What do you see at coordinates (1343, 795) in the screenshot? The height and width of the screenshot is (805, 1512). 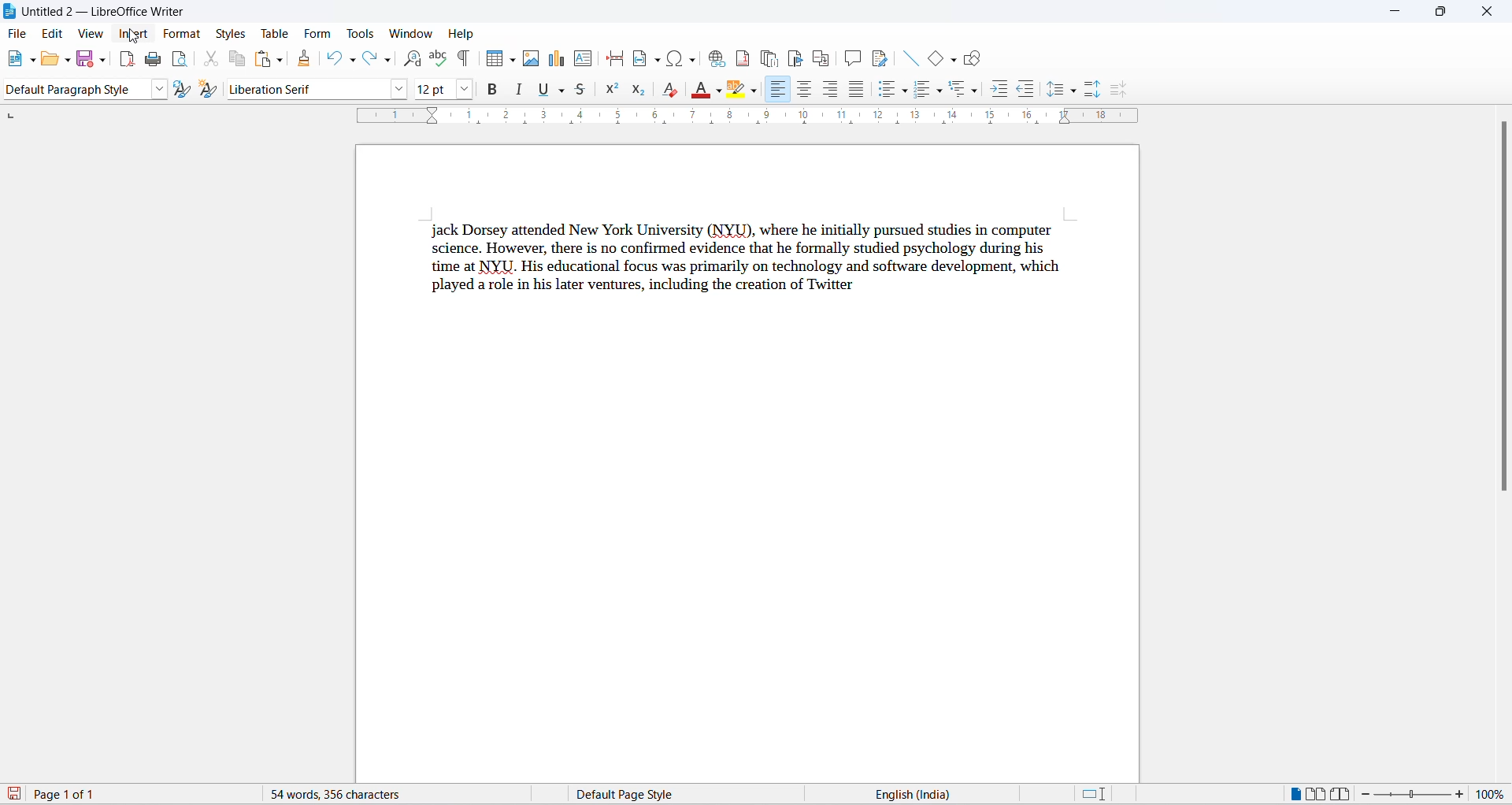 I see `book view` at bounding box center [1343, 795].